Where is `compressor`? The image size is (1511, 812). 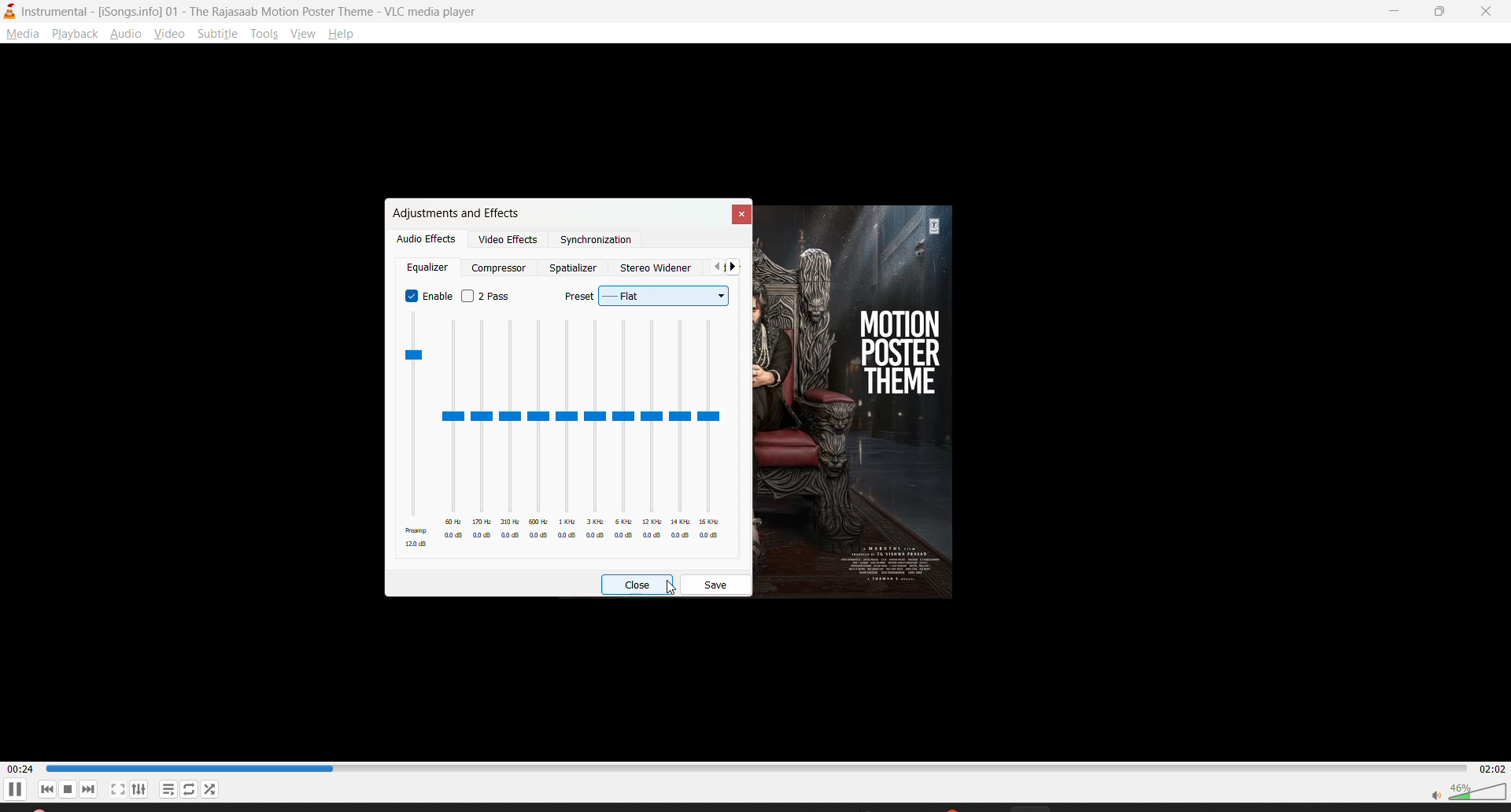
compressor is located at coordinates (498, 268).